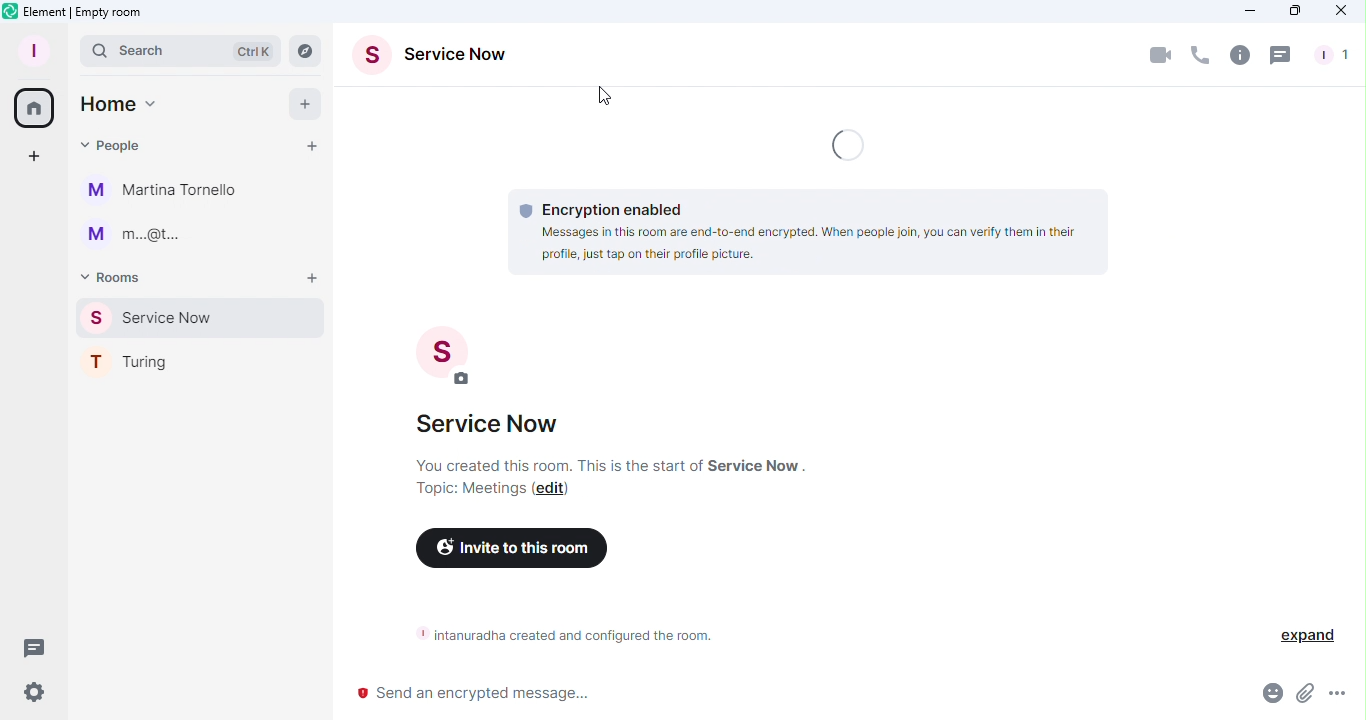  What do you see at coordinates (801, 228) in the screenshot?
I see `Encryption information` at bounding box center [801, 228].